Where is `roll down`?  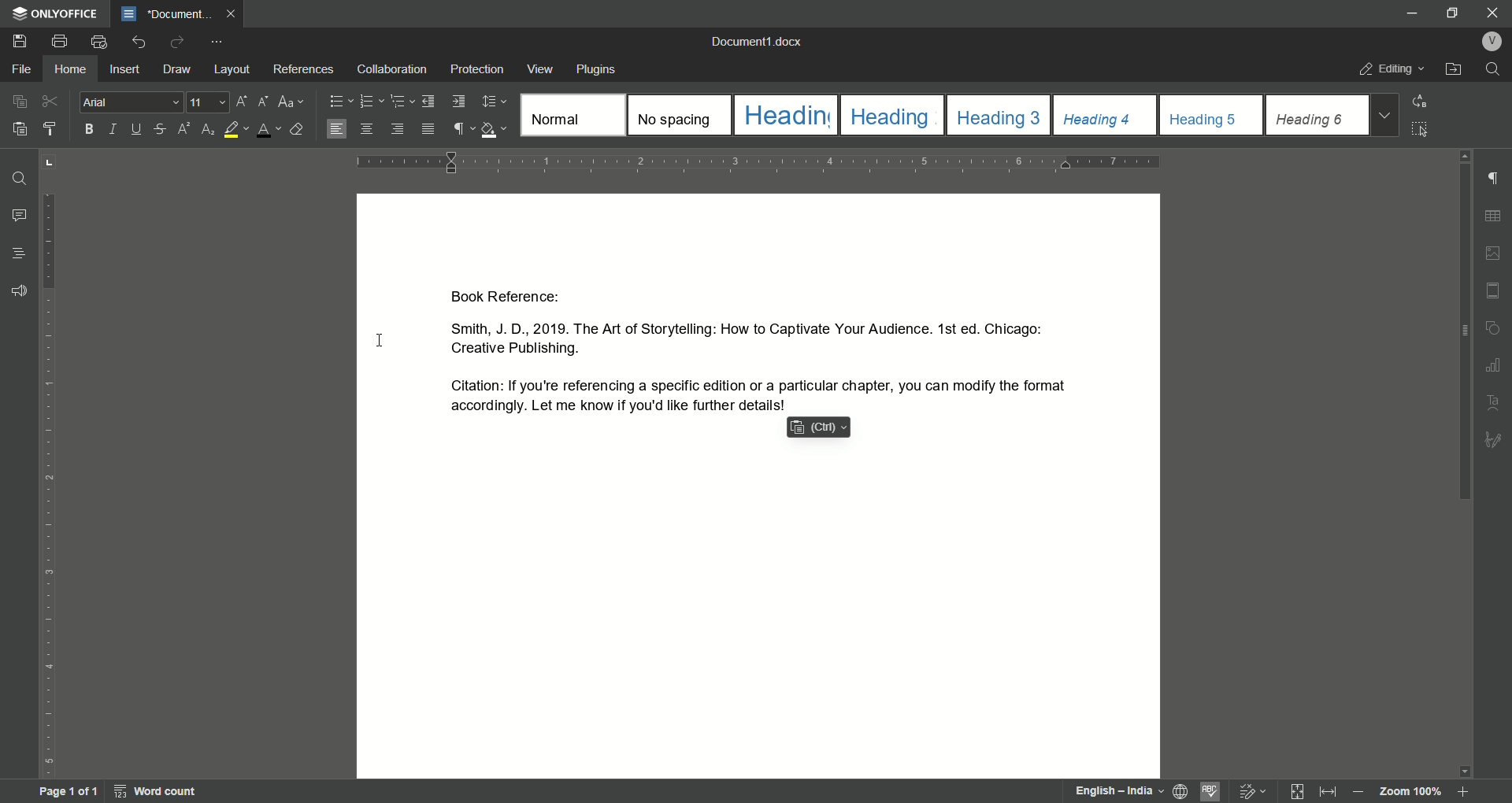
roll down is located at coordinates (1466, 772).